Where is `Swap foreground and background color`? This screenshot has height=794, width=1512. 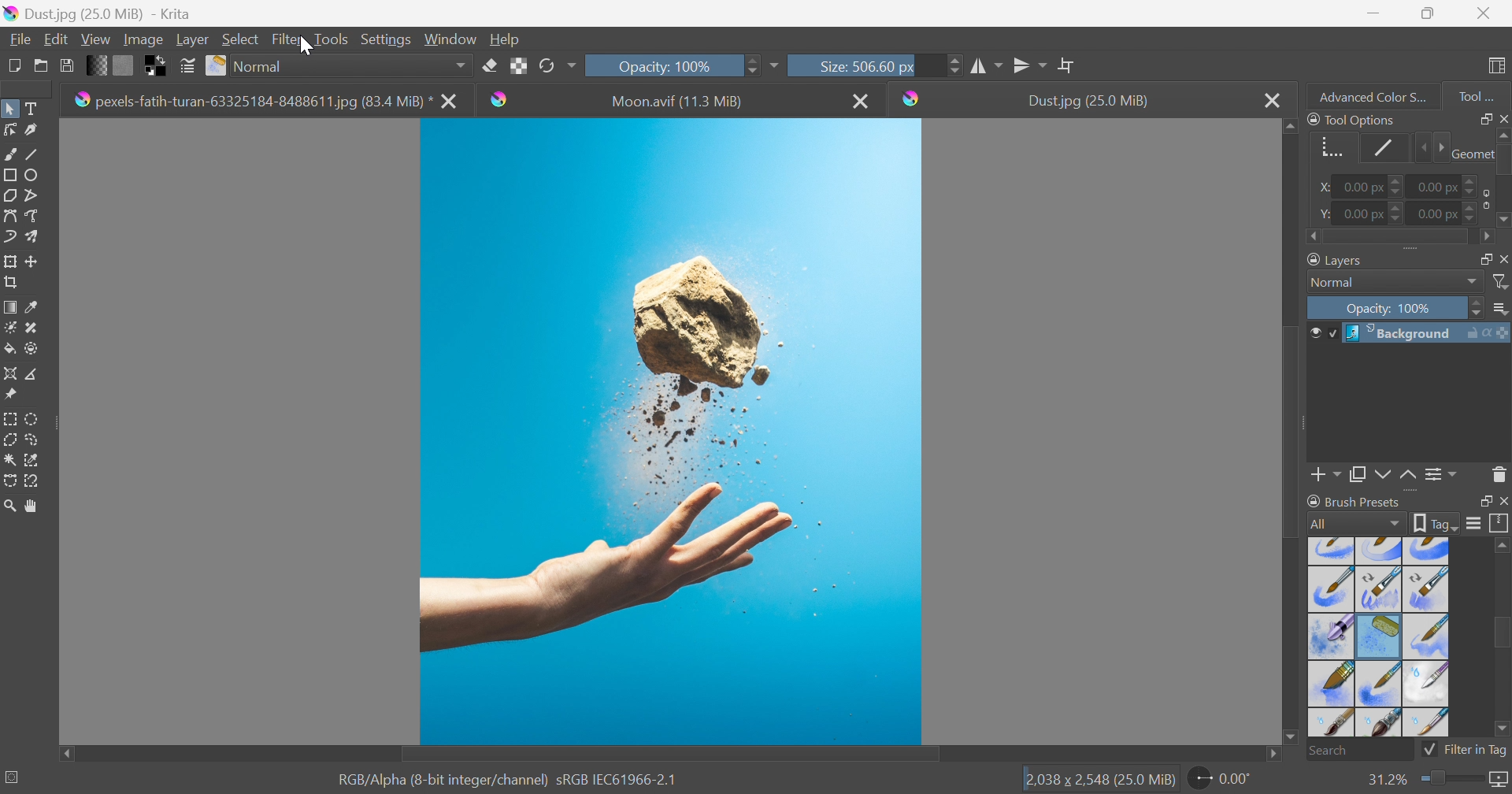
Swap foreground and background color is located at coordinates (158, 66).